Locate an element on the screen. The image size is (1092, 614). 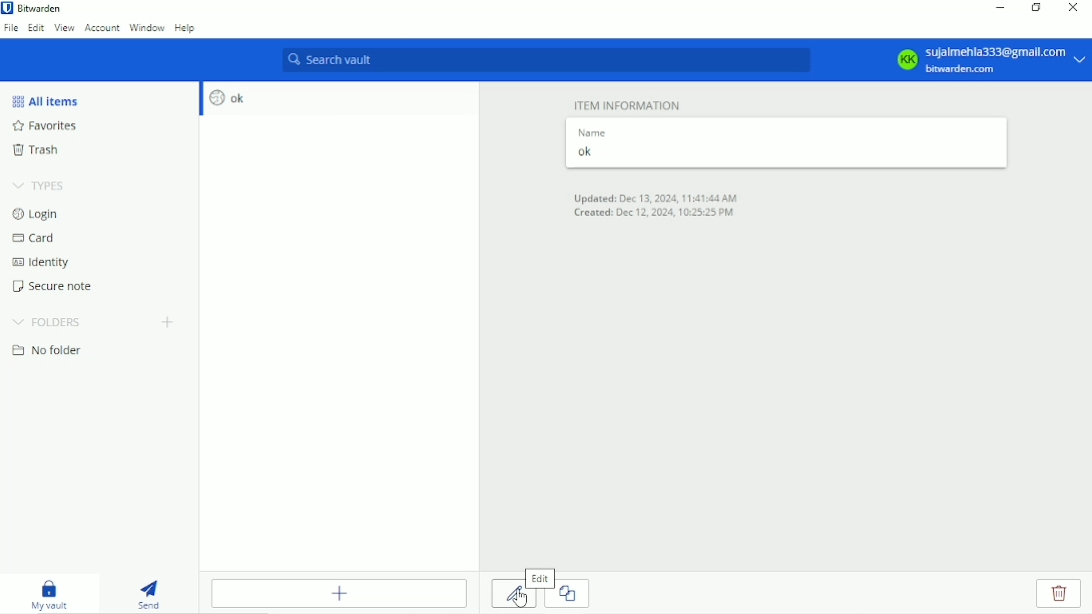
edit is located at coordinates (540, 578).